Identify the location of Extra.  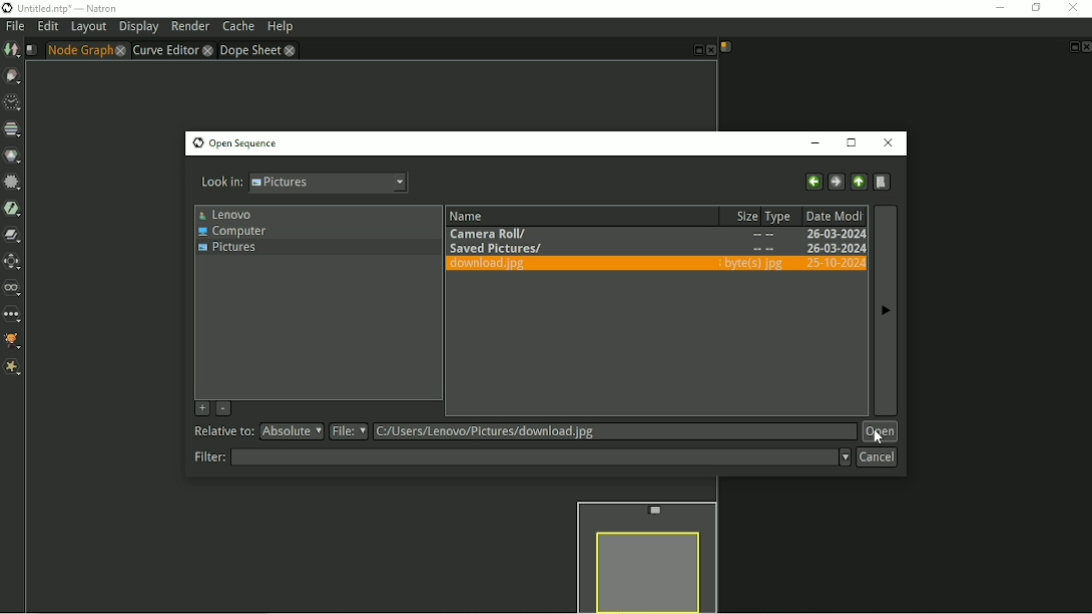
(13, 369).